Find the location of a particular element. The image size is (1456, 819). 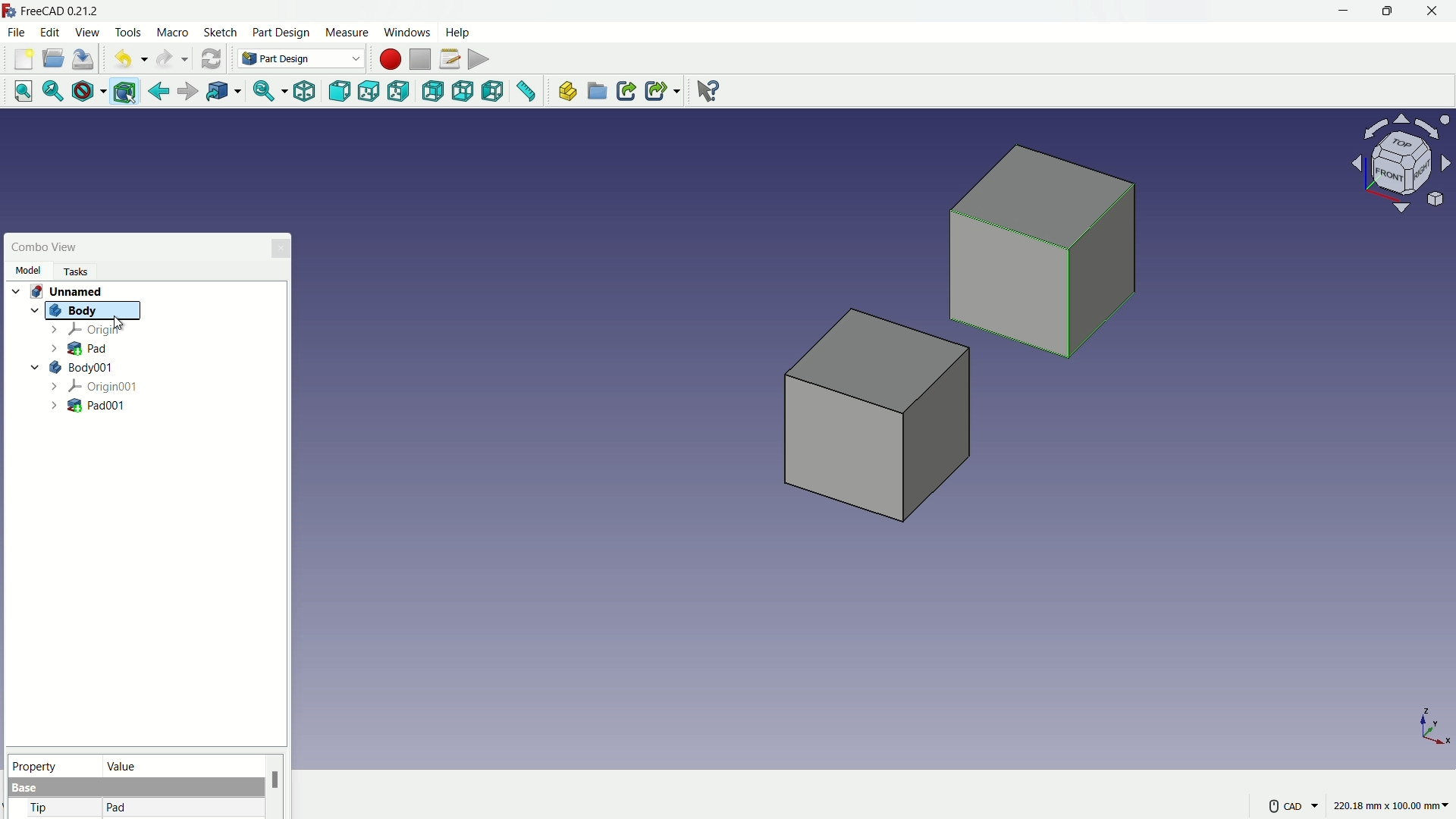

preset viewpoint is located at coordinates (1406, 171).